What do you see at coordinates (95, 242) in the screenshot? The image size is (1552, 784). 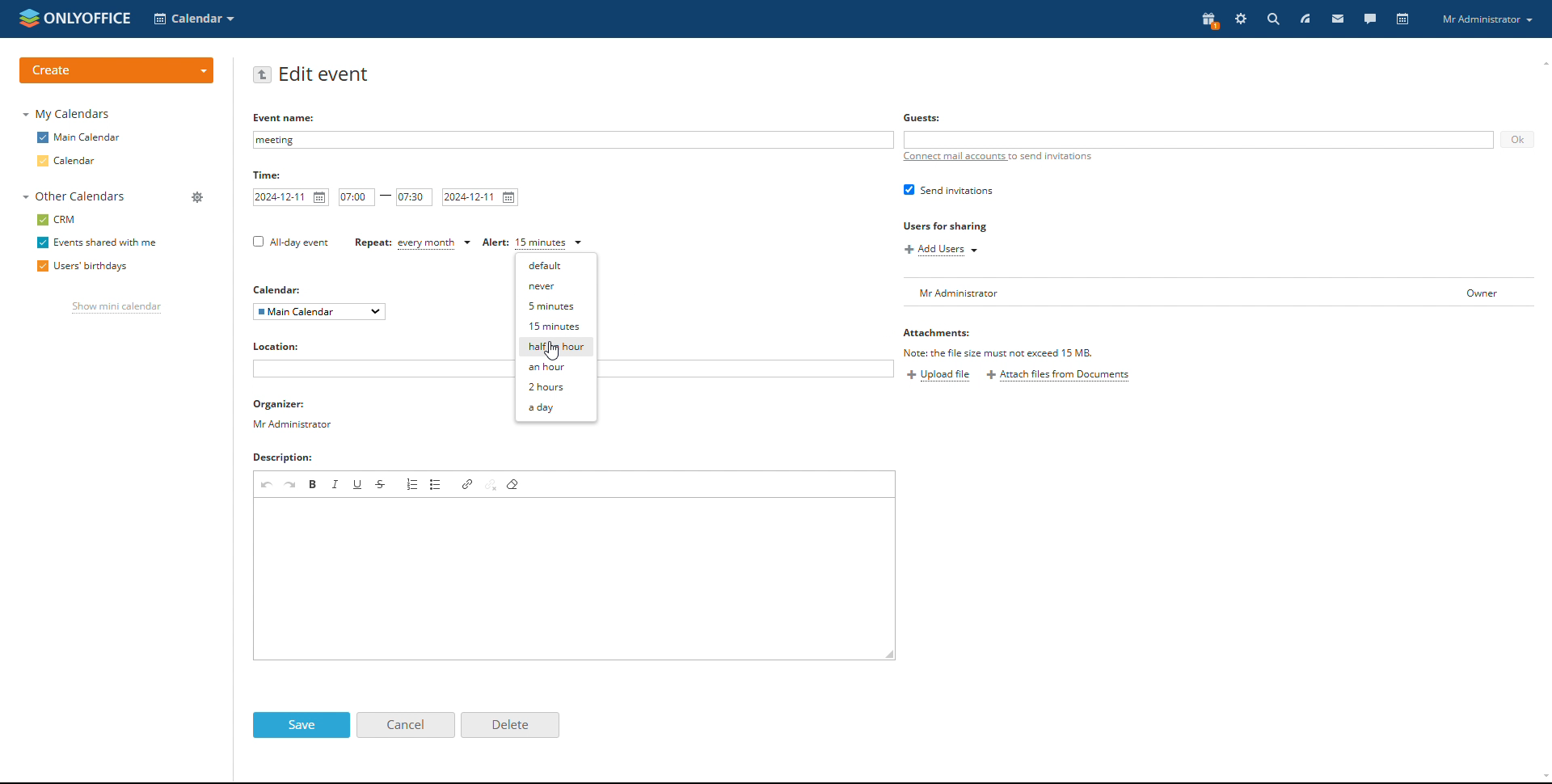 I see `events shared with me` at bounding box center [95, 242].